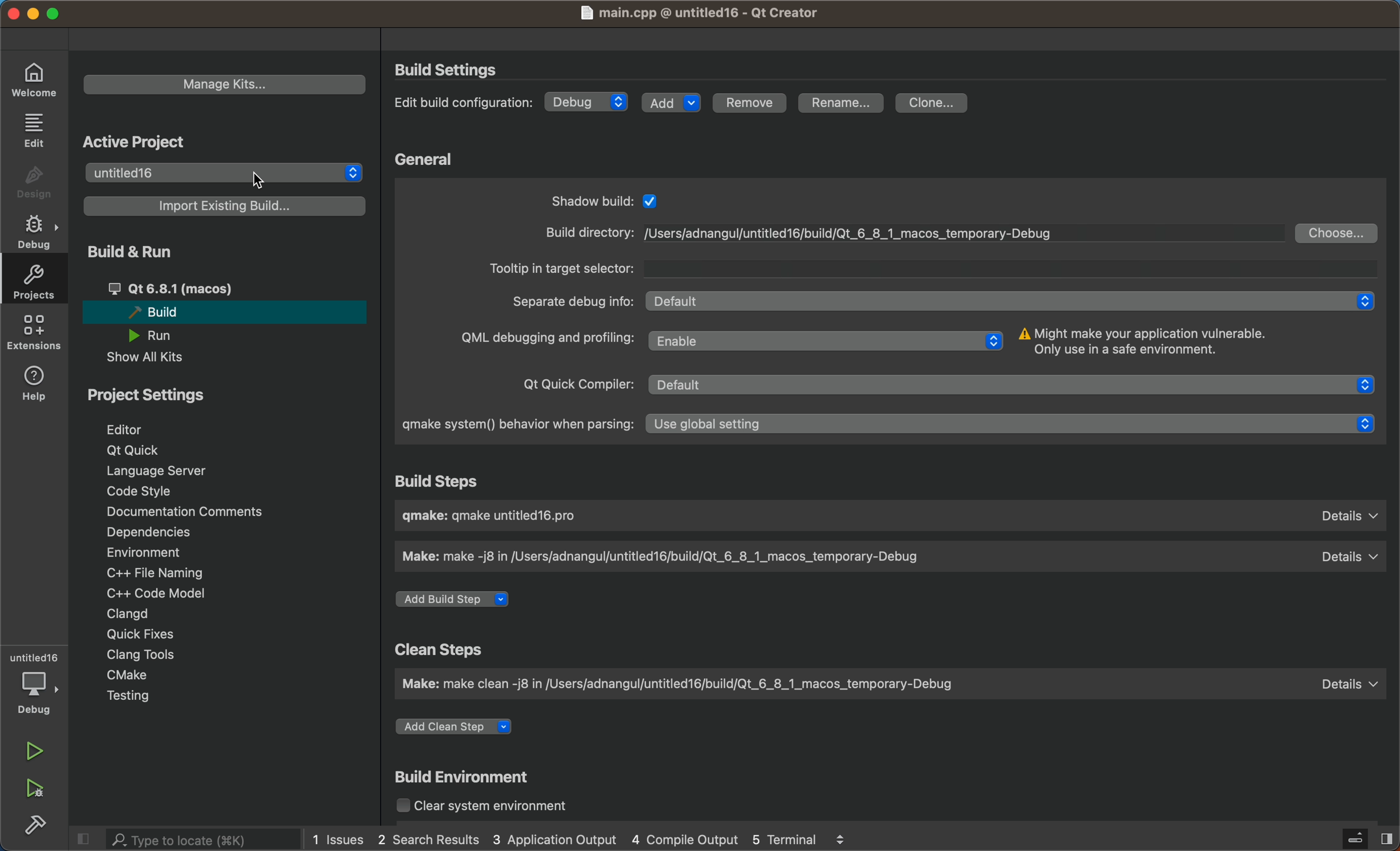 Image resolution: width=1400 pixels, height=851 pixels. Describe the element at coordinates (35, 825) in the screenshot. I see `build` at that location.